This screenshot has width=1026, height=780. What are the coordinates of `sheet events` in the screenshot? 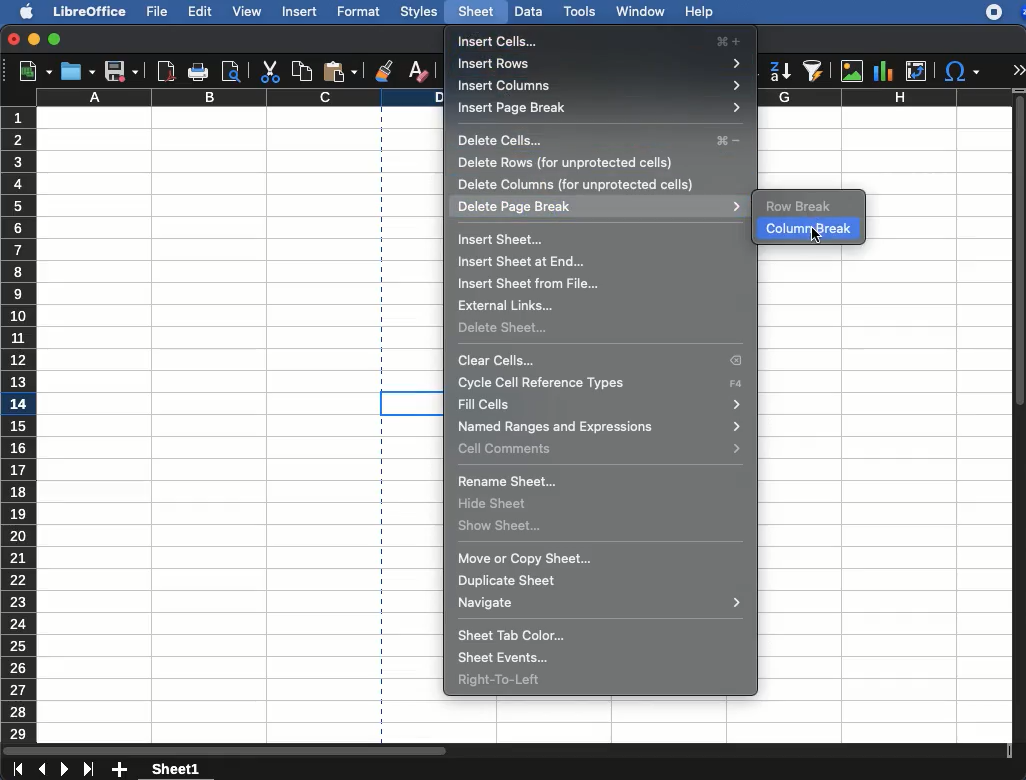 It's located at (507, 659).